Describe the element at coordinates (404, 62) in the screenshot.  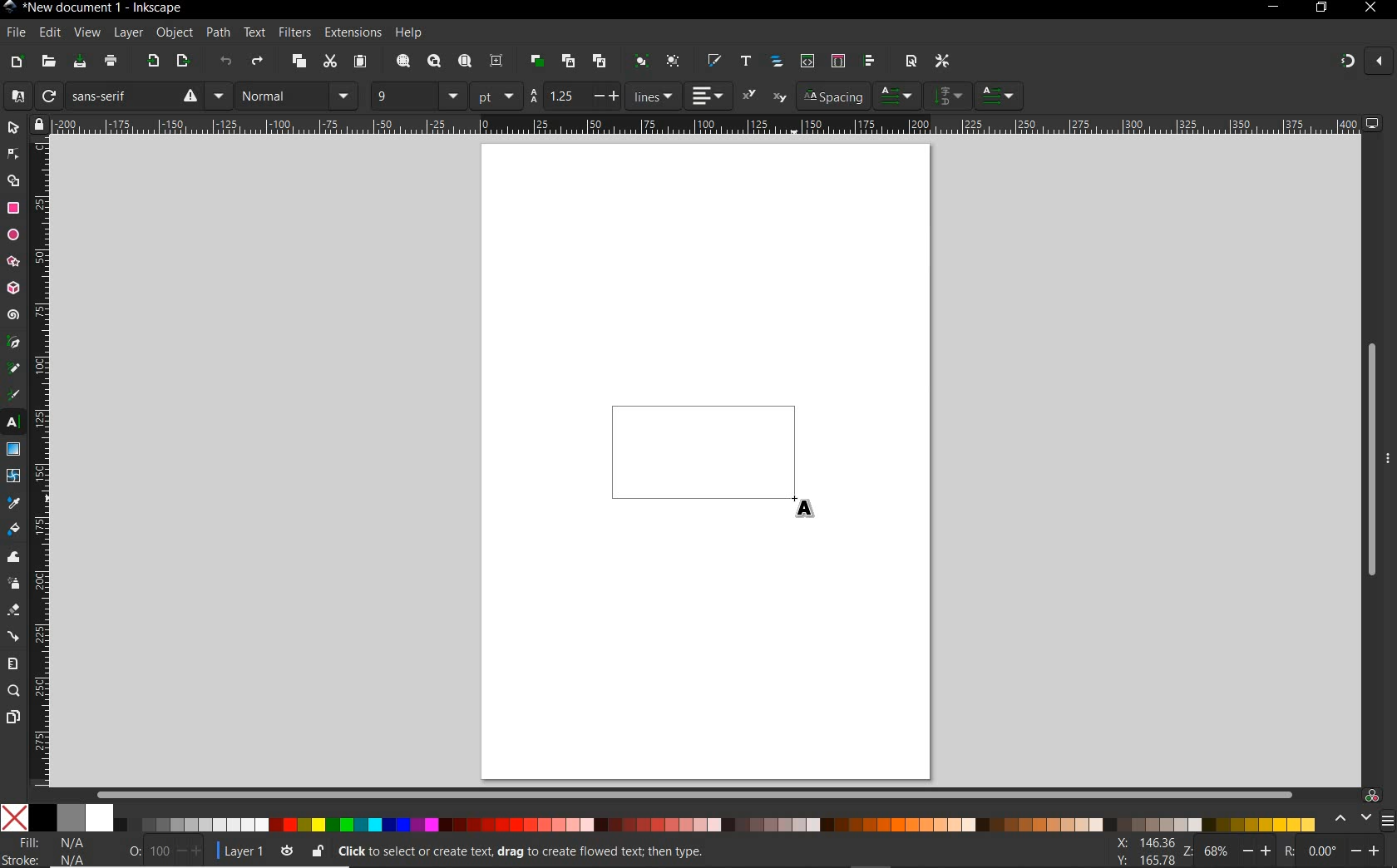
I see `zoom selection` at that location.